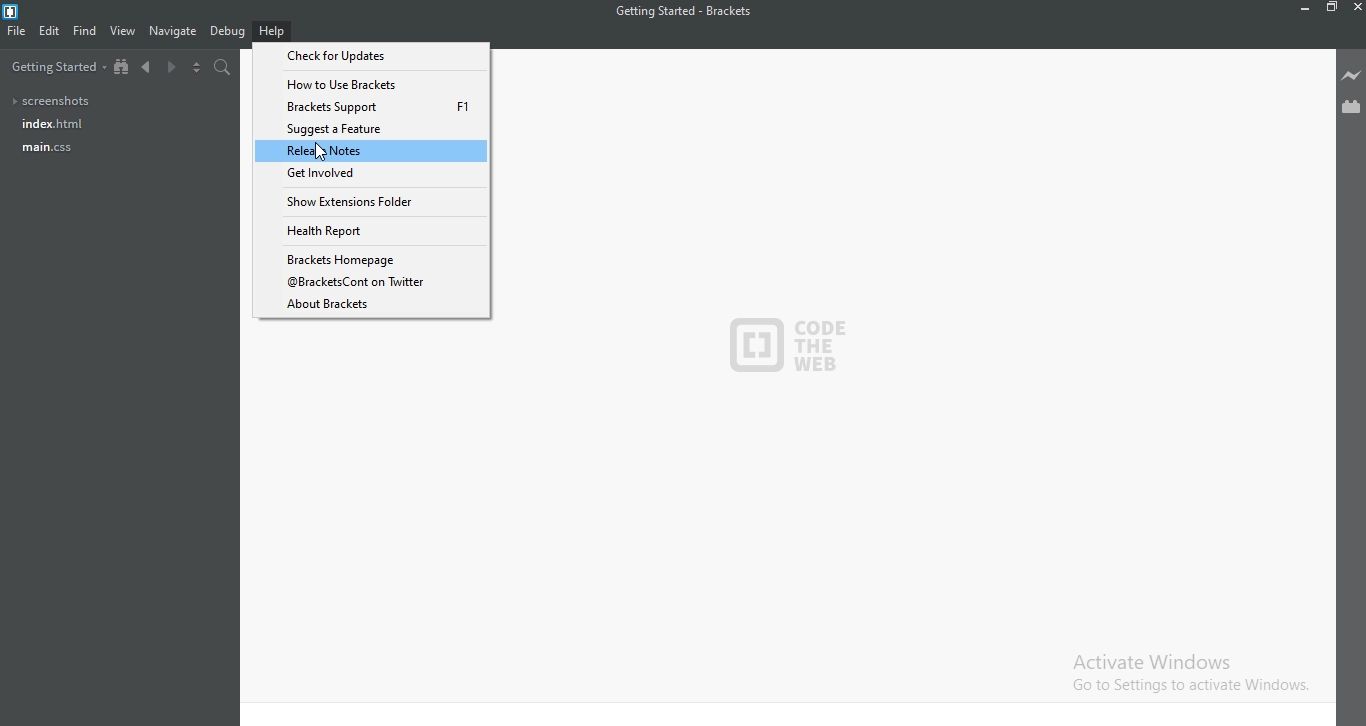  I want to click on Navigate, so click(173, 31).